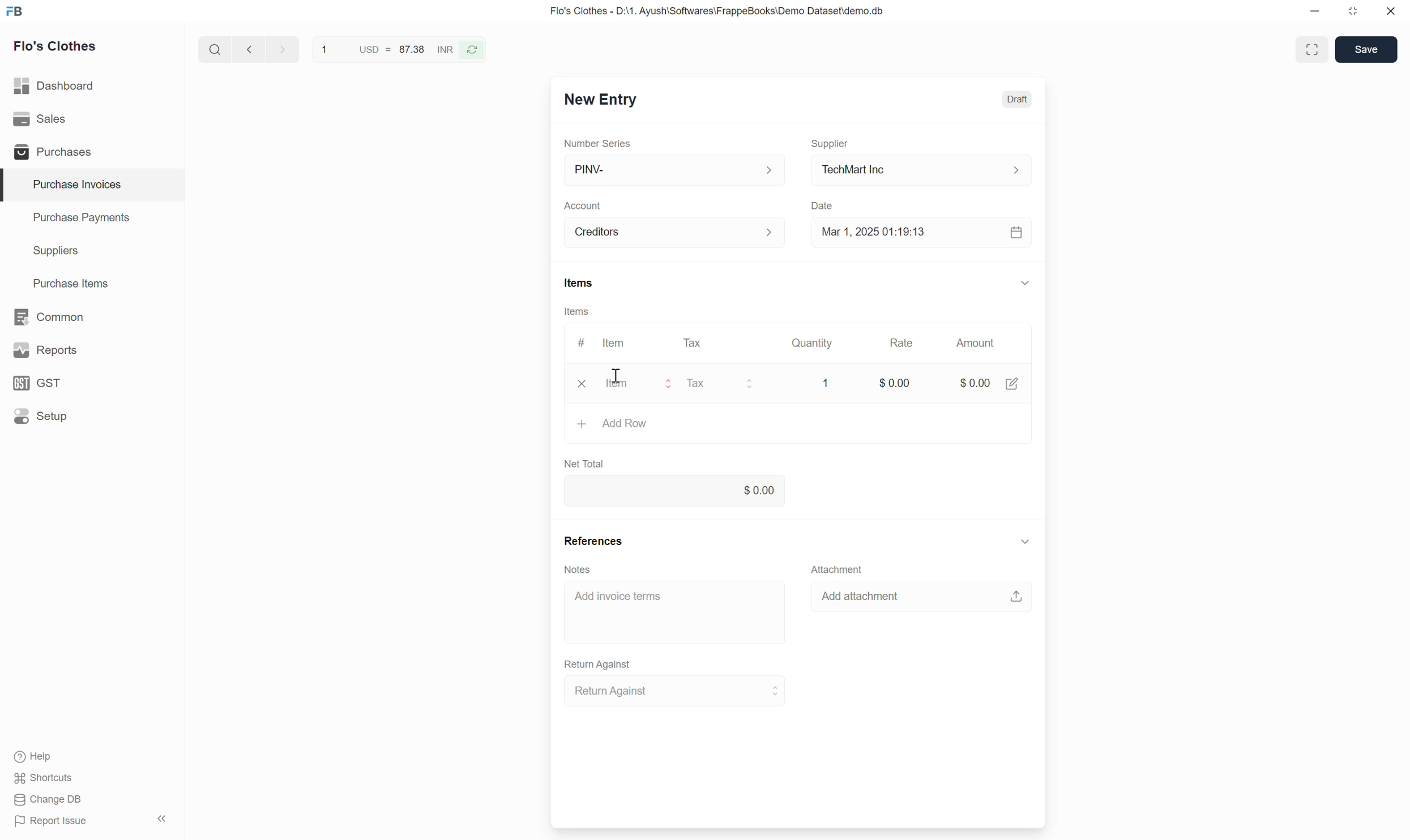 The image size is (1410, 840). Describe the element at coordinates (1311, 49) in the screenshot. I see `Toggle between form and full width` at that location.